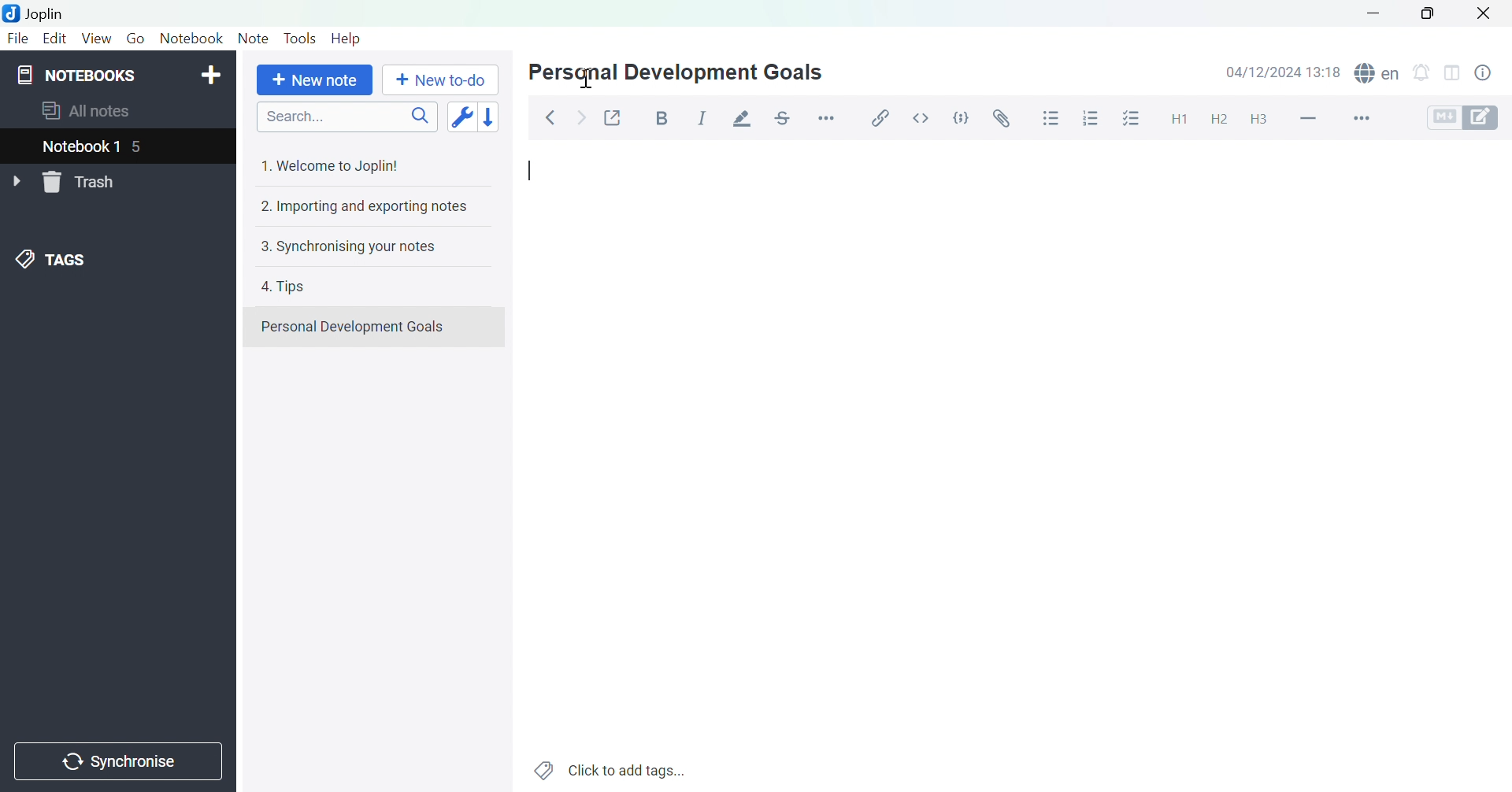  Describe the element at coordinates (1052, 120) in the screenshot. I see `Bulleted list` at that location.